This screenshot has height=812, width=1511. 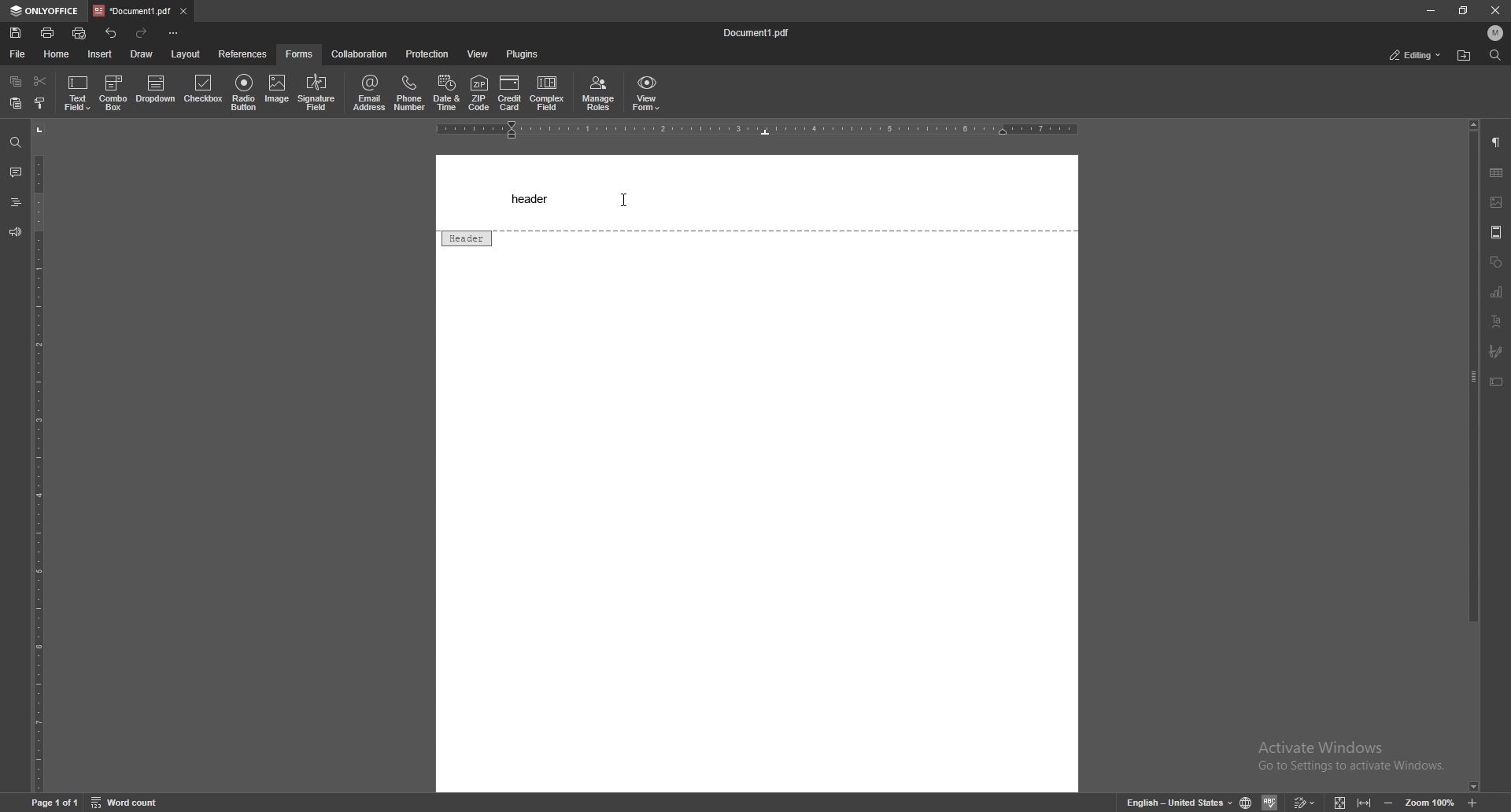 I want to click on header , so click(x=532, y=197).